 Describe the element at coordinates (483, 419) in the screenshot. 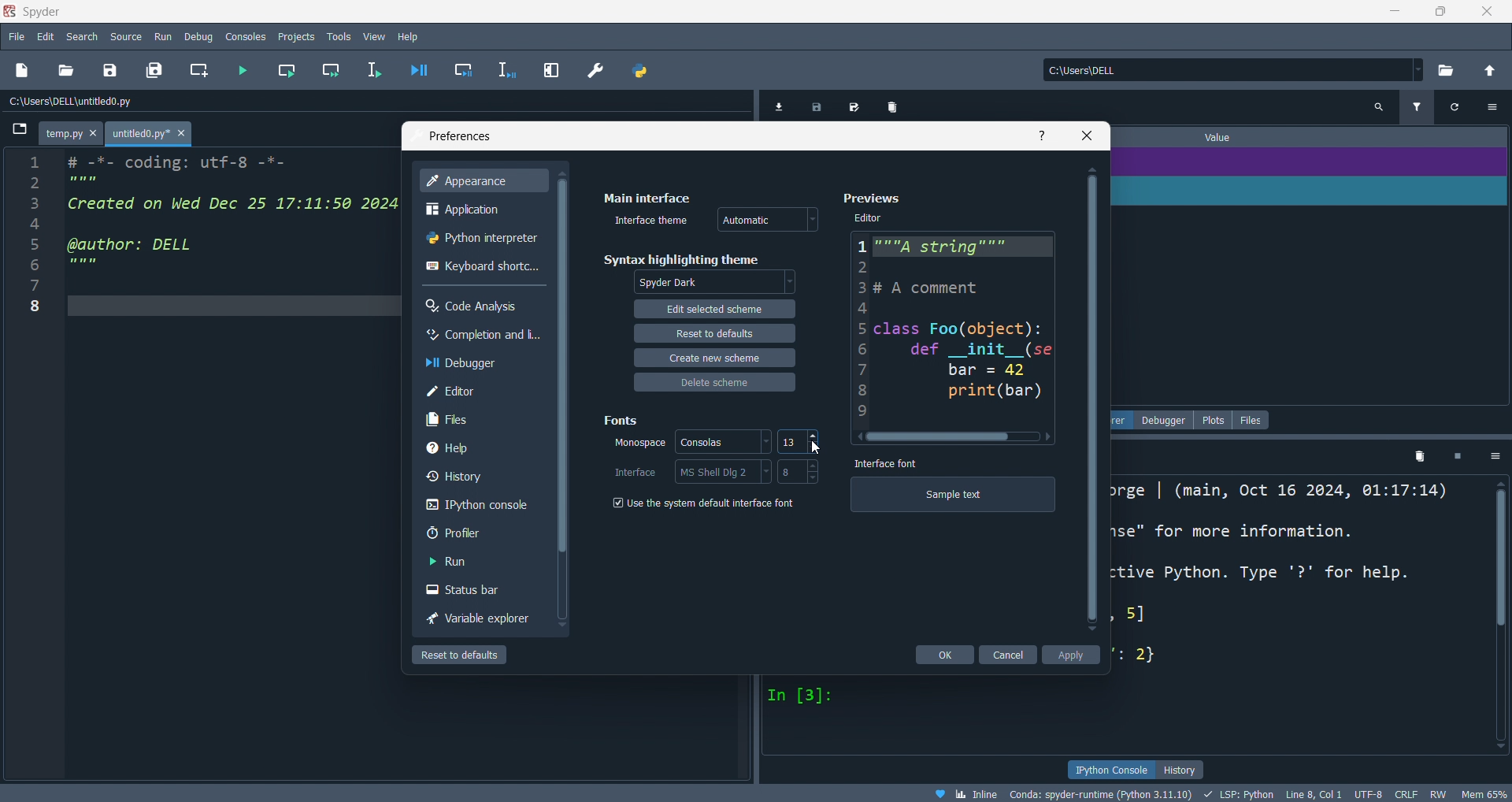

I see `files` at that location.